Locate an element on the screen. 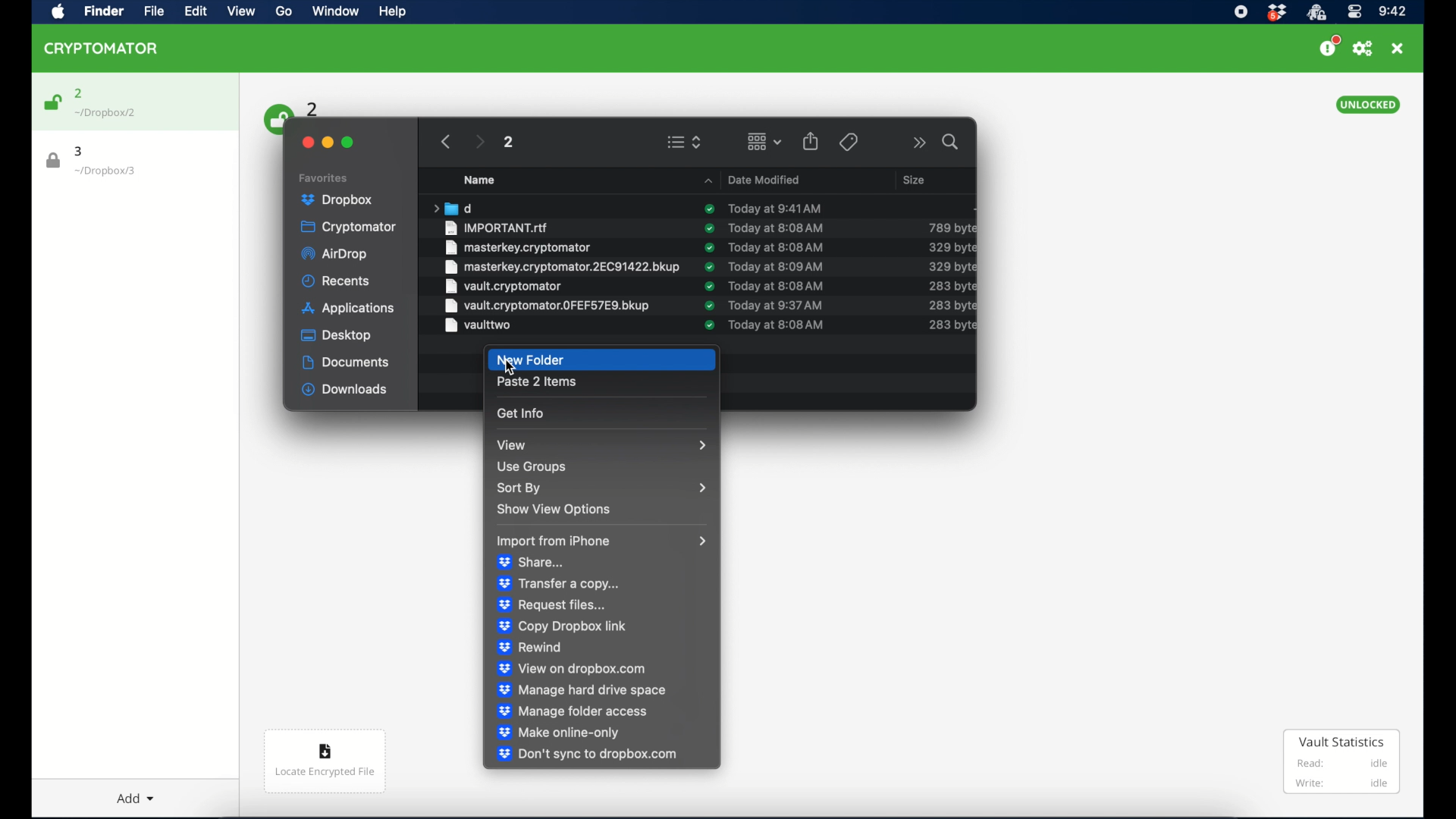  date modified is located at coordinates (752, 179).